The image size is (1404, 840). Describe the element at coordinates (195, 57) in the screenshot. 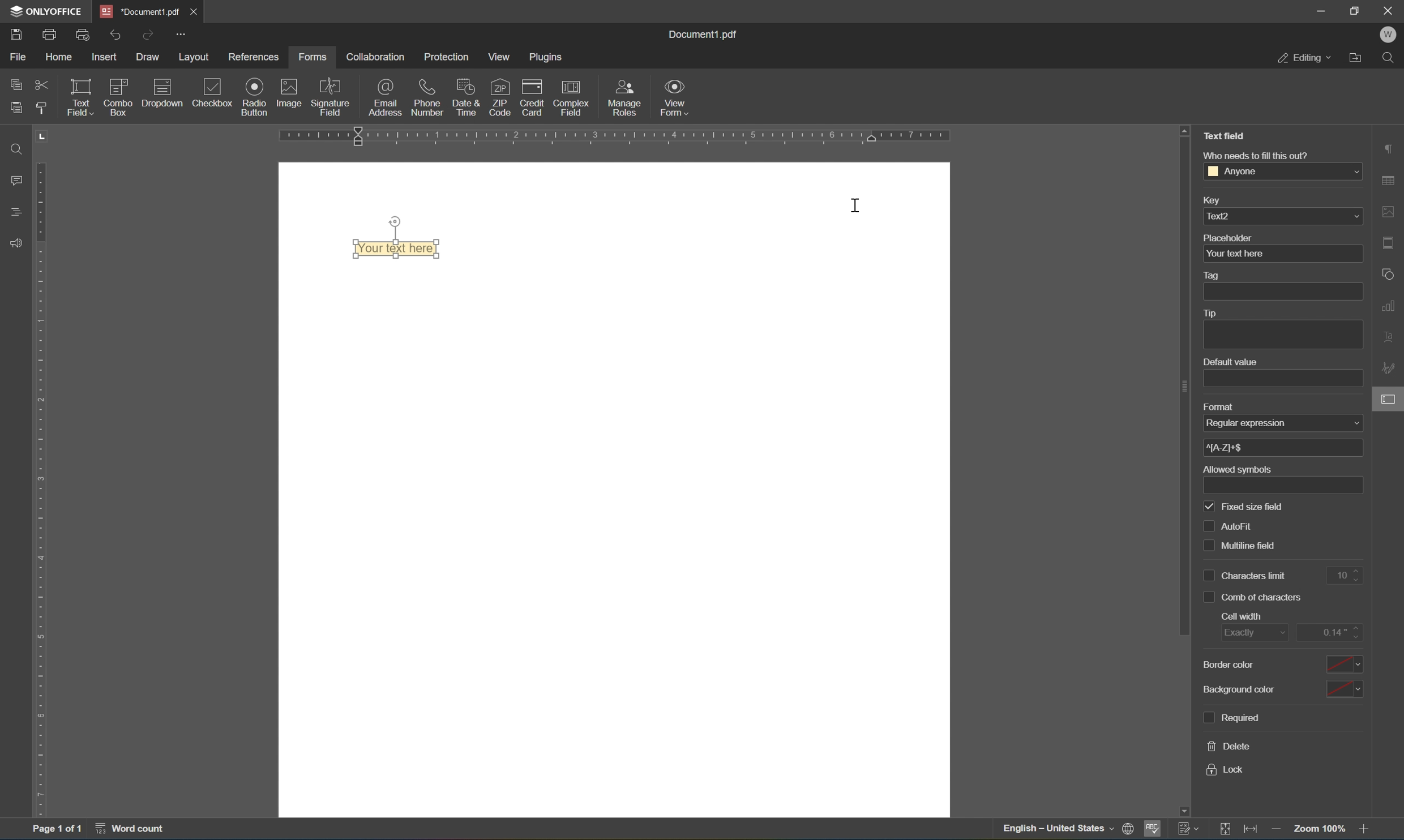

I see `layout` at that location.